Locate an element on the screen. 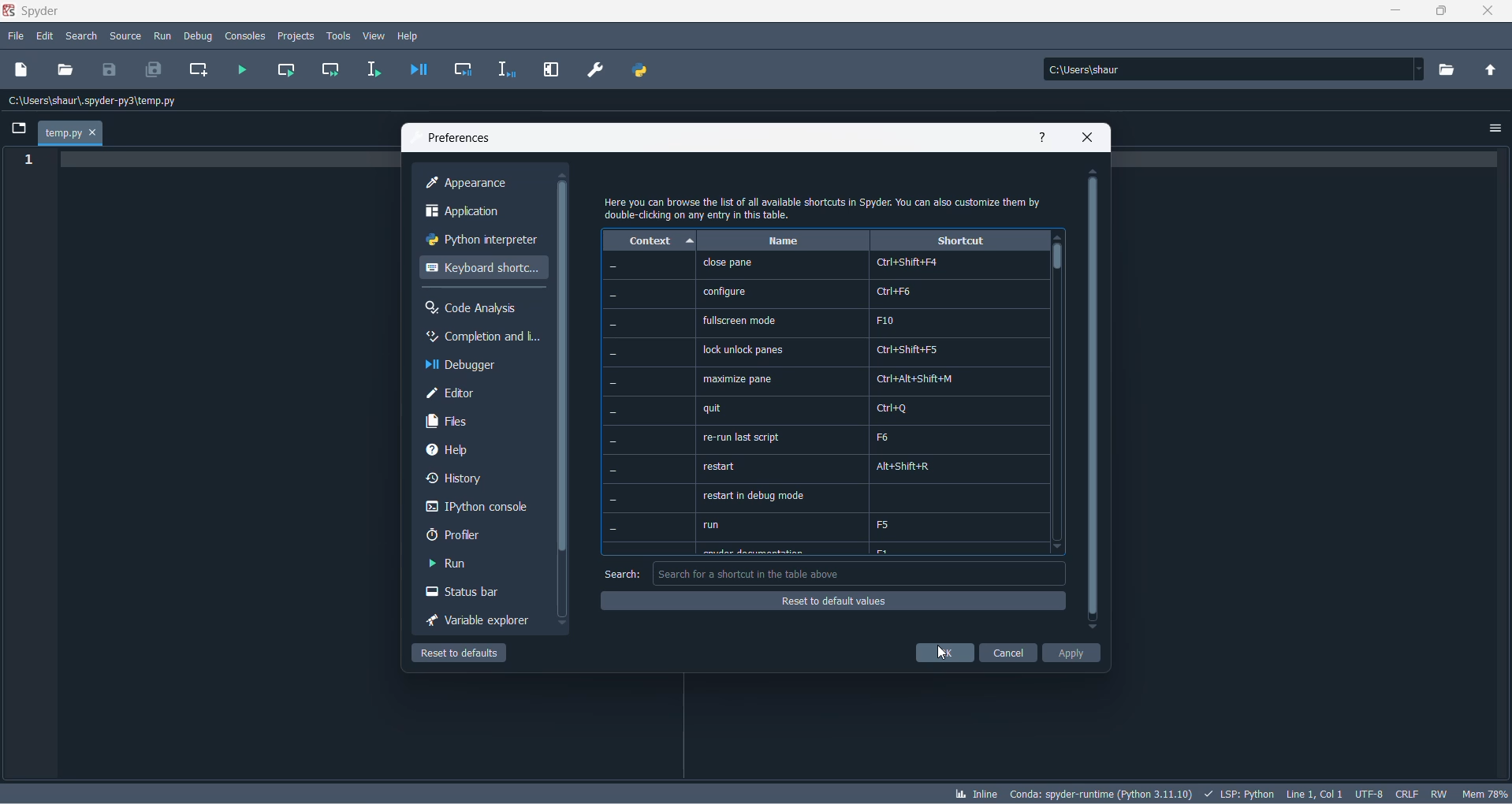  - is located at coordinates (613, 441).